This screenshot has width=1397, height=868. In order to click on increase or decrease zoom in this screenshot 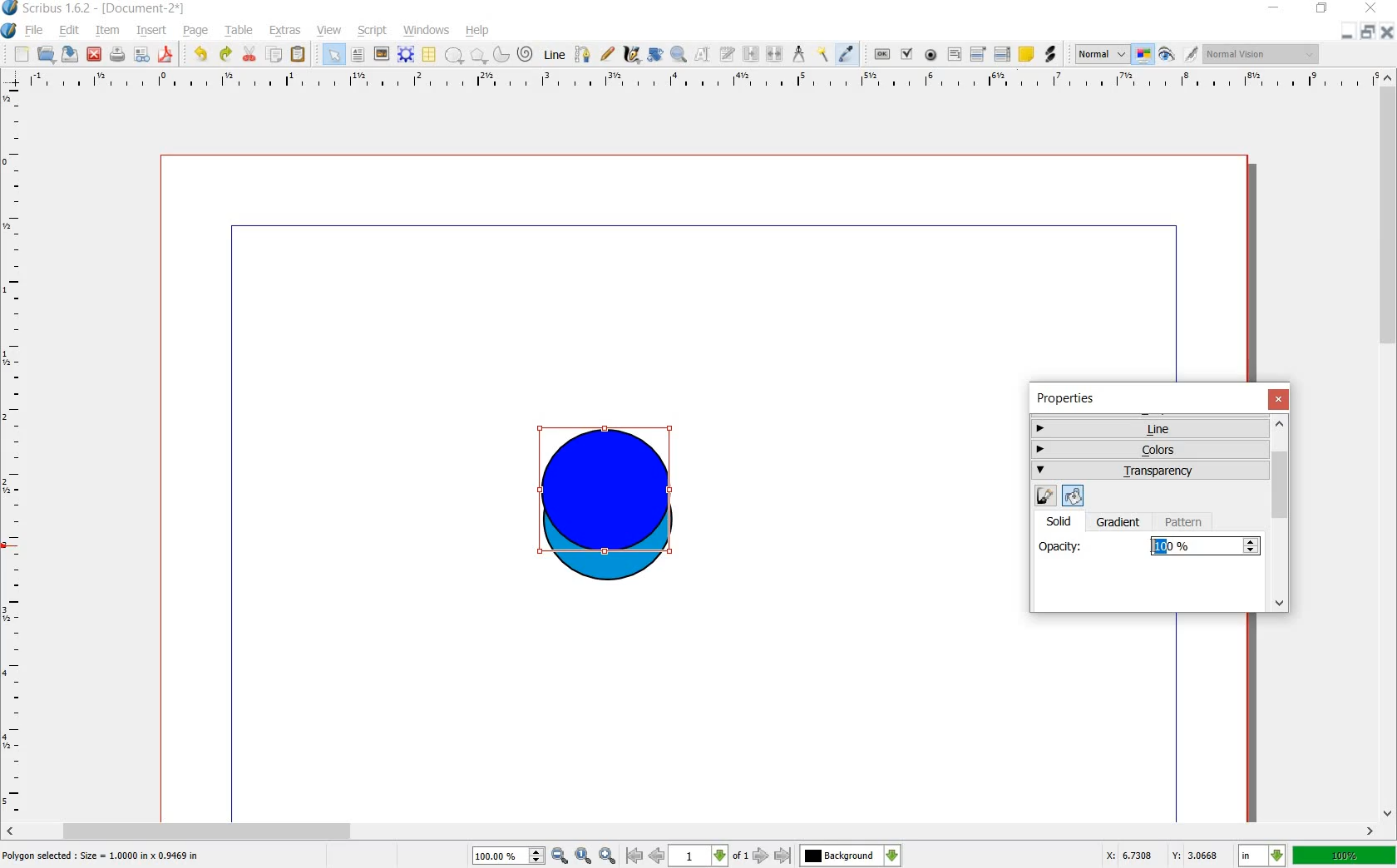, I will do `click(536, 856)`.